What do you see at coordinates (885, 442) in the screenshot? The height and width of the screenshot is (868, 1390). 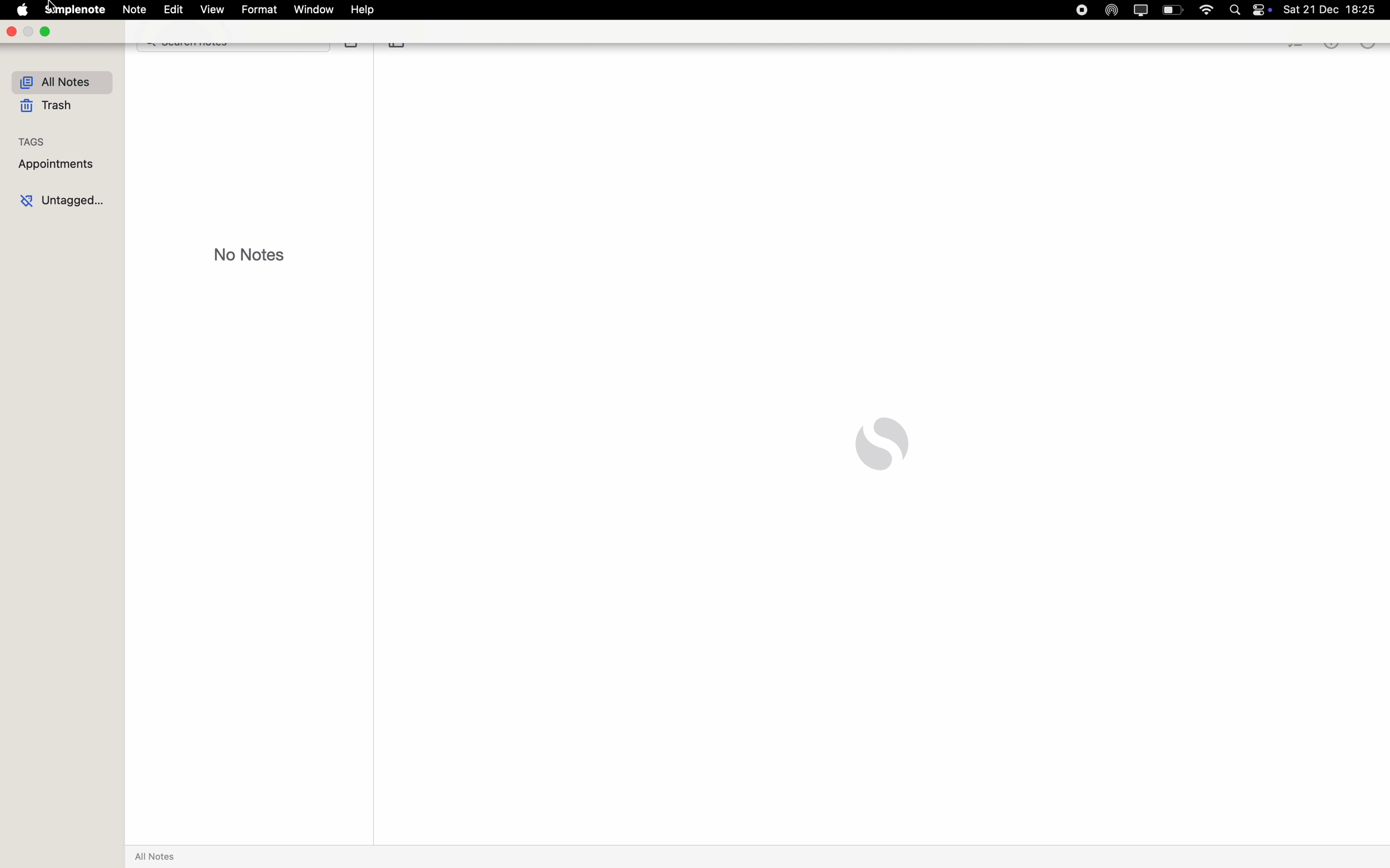 I see `Simplenote logo` at bounding box center [885, 442].